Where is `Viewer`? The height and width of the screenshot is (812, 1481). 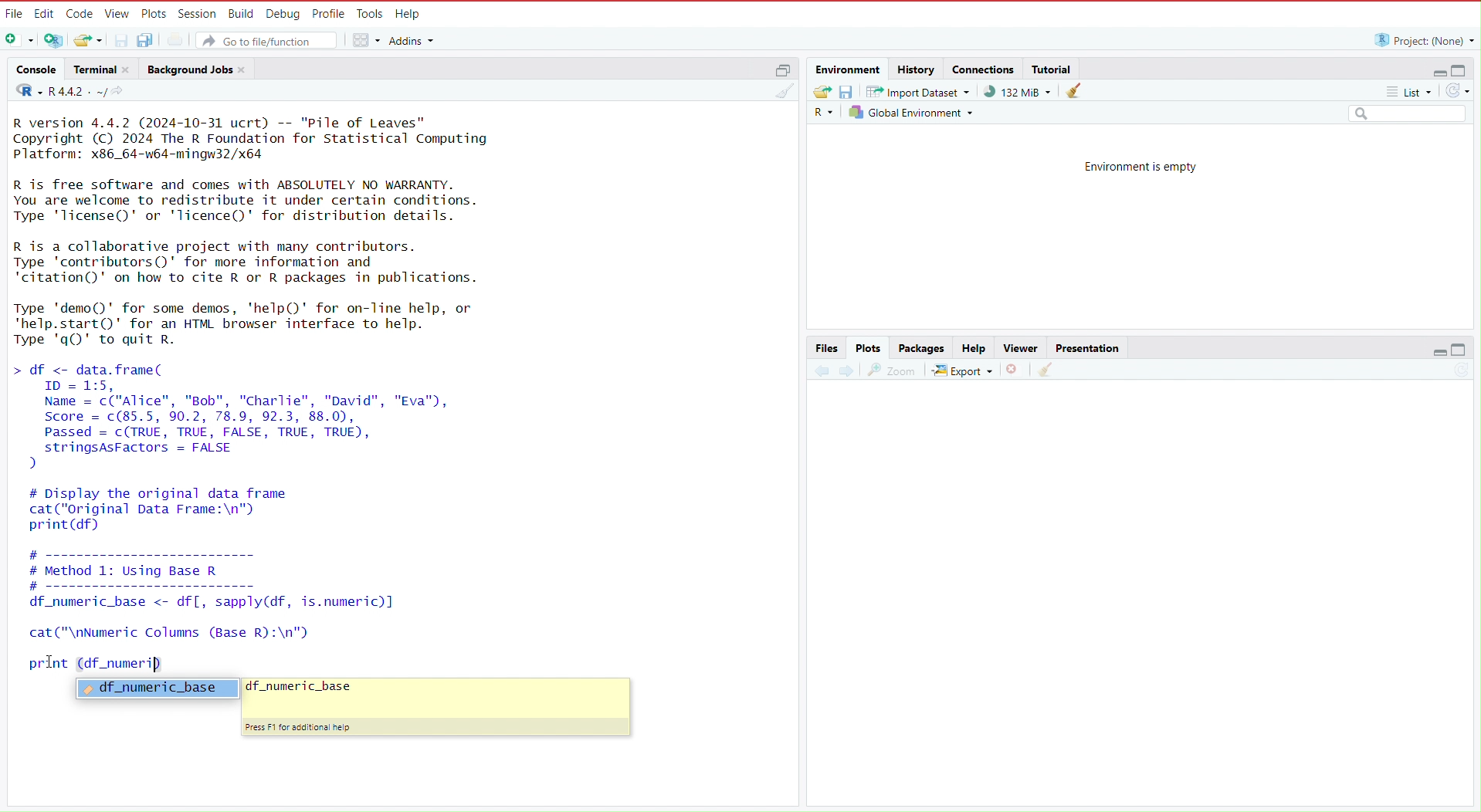
Viewer is located at coordinates (1018, 347).